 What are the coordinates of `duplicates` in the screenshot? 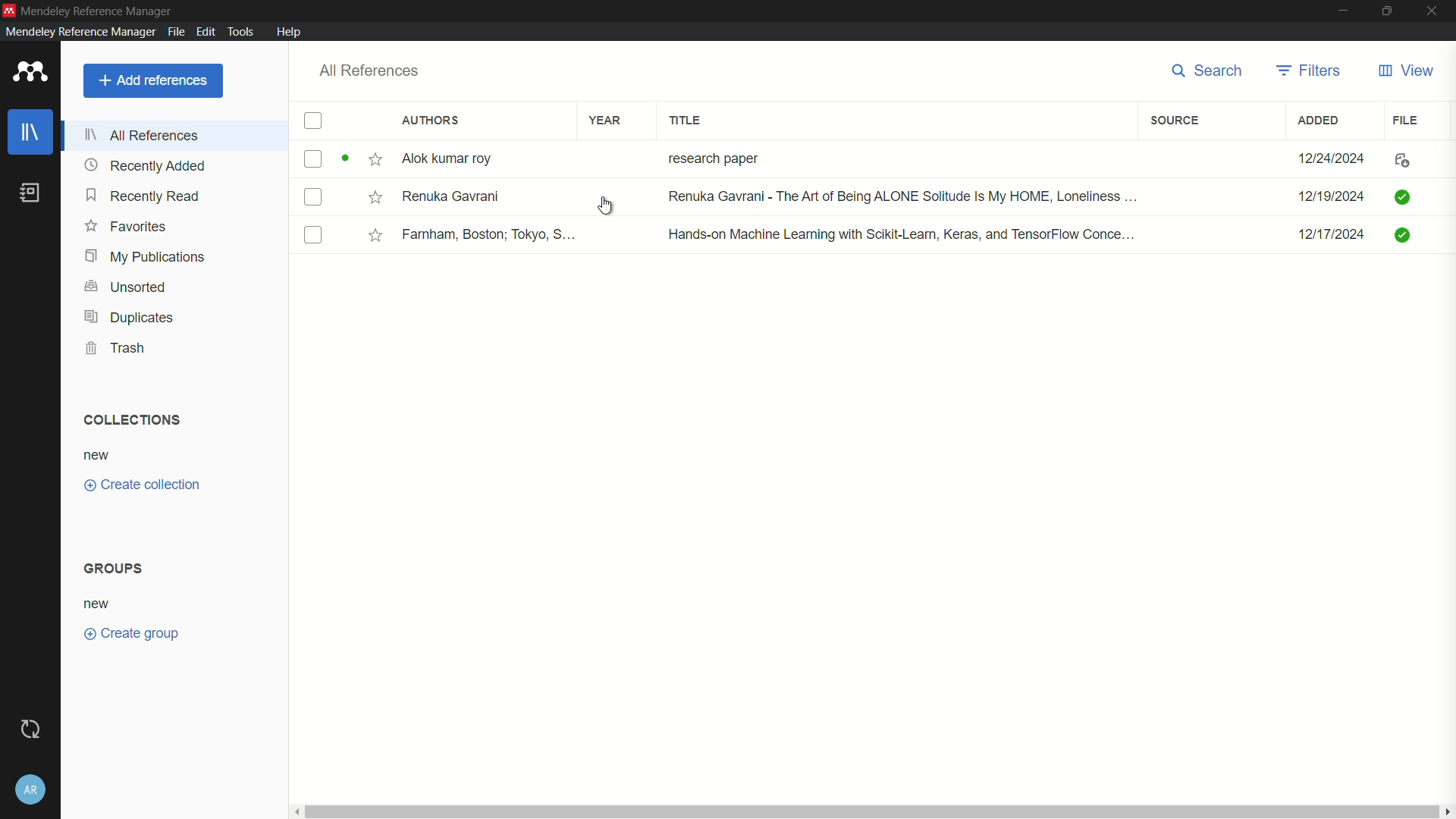 It's located at (128, 317).